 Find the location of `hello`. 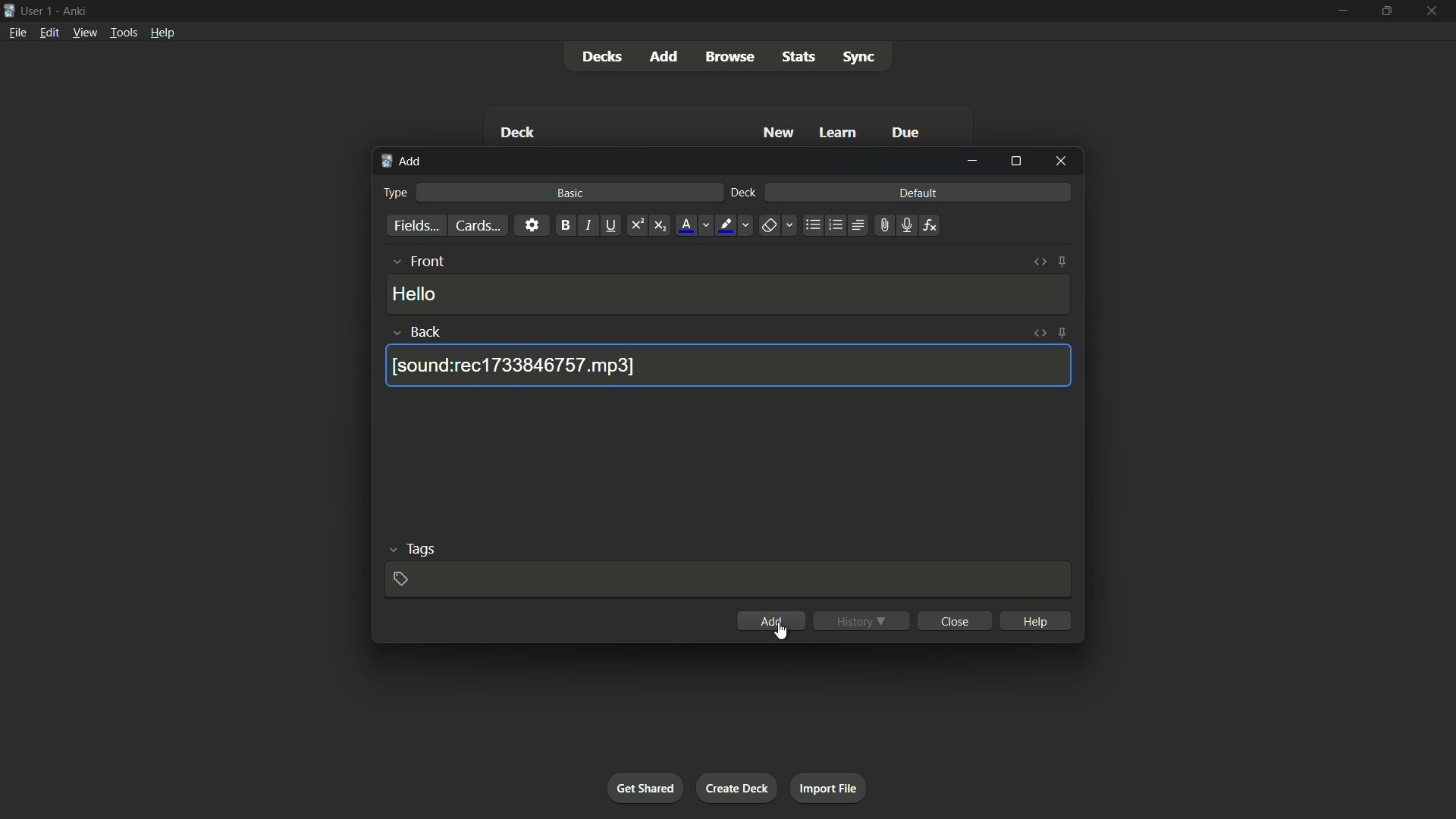

hello is located at coordinates (416, 293).